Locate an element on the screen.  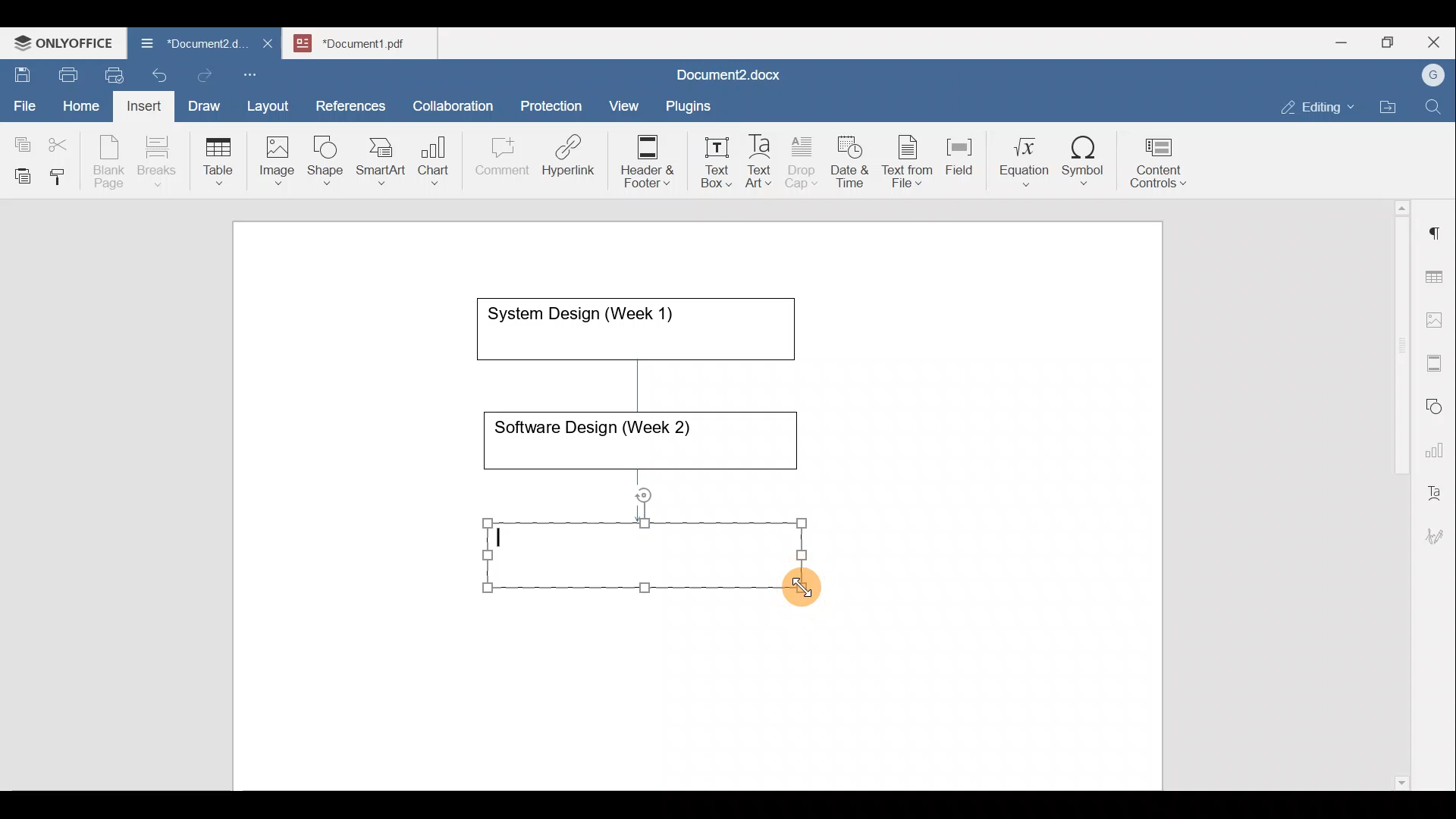
Comment is located at coordinates (497, 160).